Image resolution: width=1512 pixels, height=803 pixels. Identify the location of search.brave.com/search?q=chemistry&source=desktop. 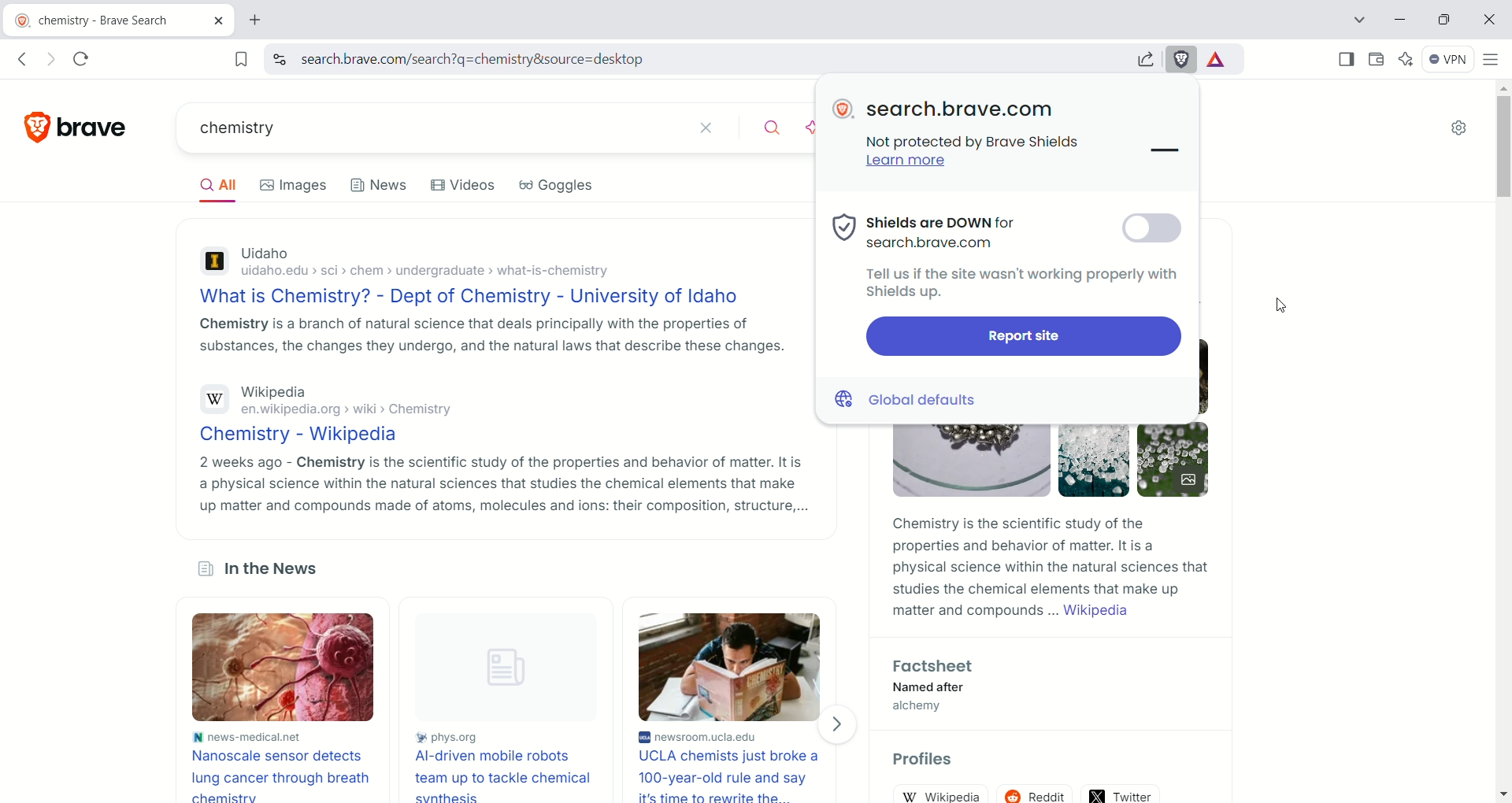
(701, 61).